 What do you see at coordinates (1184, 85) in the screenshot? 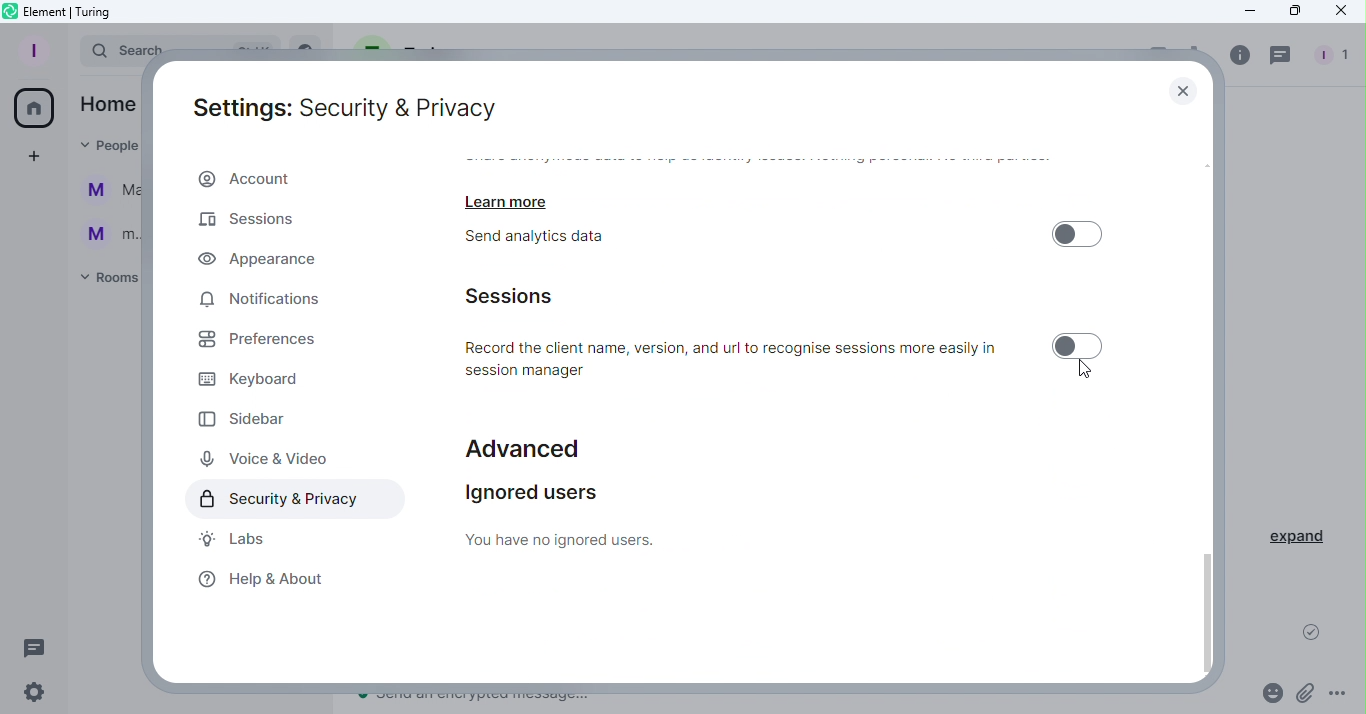
I see `Close` at bounding box center [1184, 85].